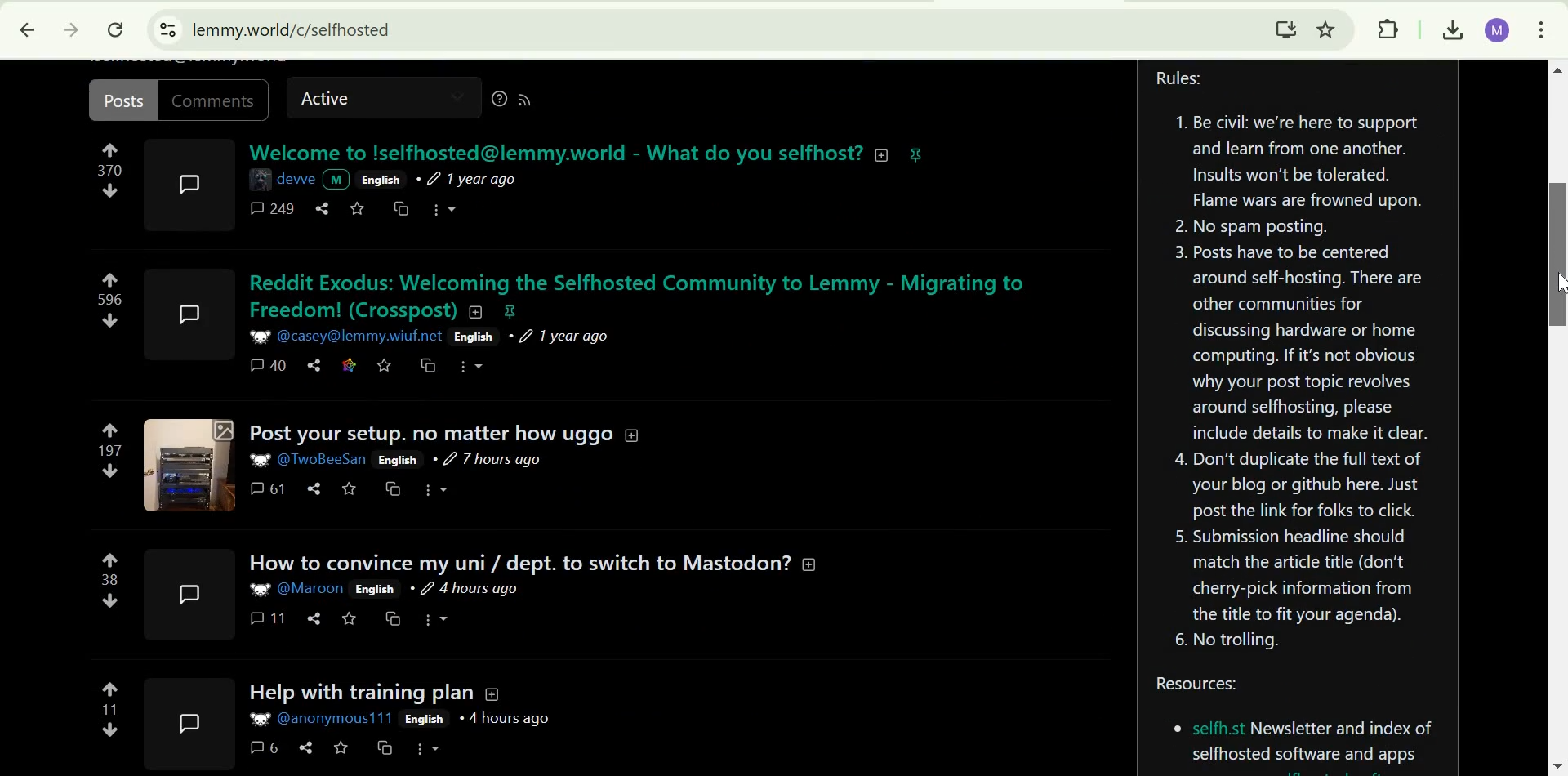 Image resolution: width=1568 pixels, height=776 pixels. I want to click on more, so click(448, 207).